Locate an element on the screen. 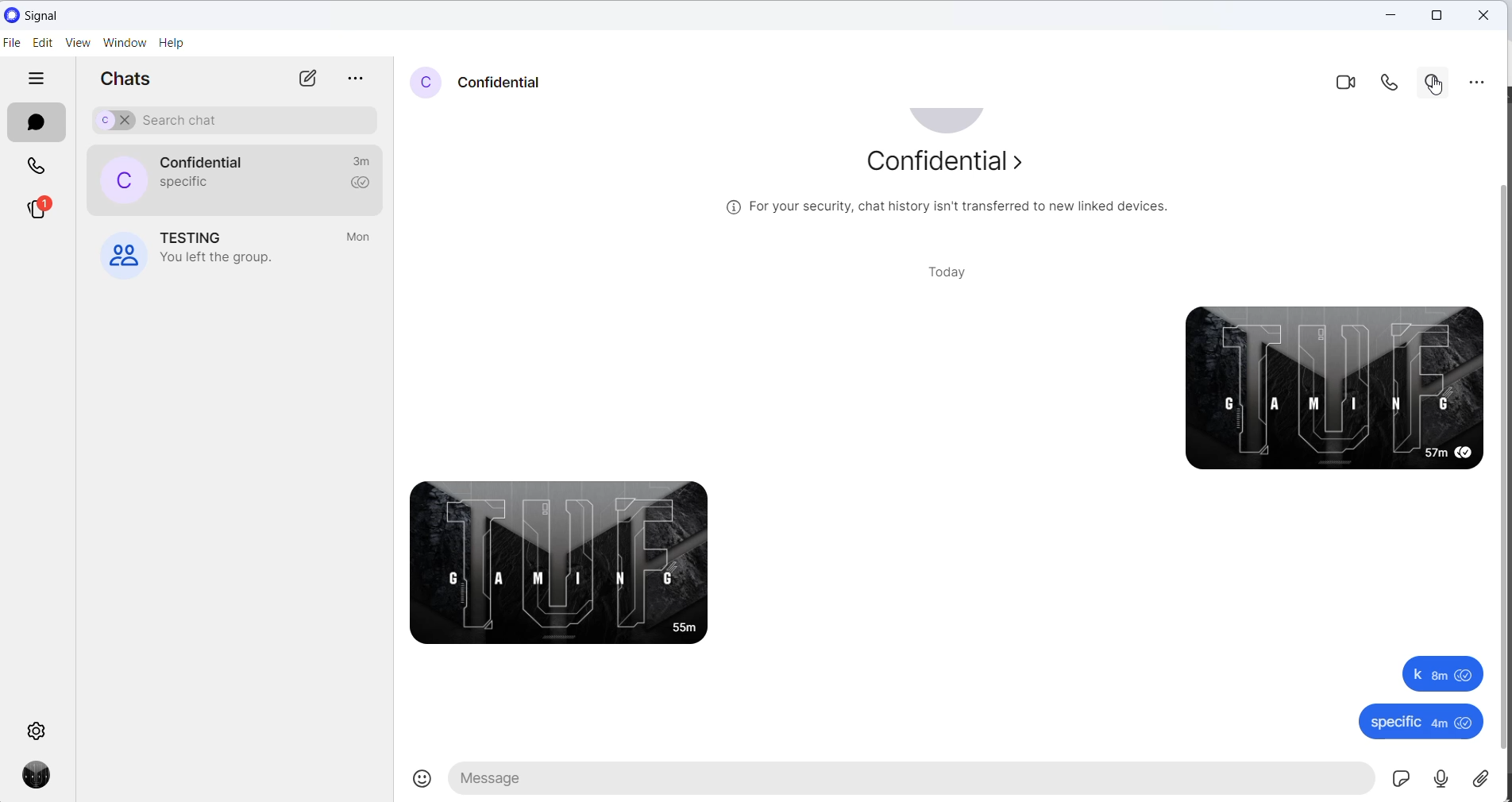  chats heading is located at coordinates (133, 83).